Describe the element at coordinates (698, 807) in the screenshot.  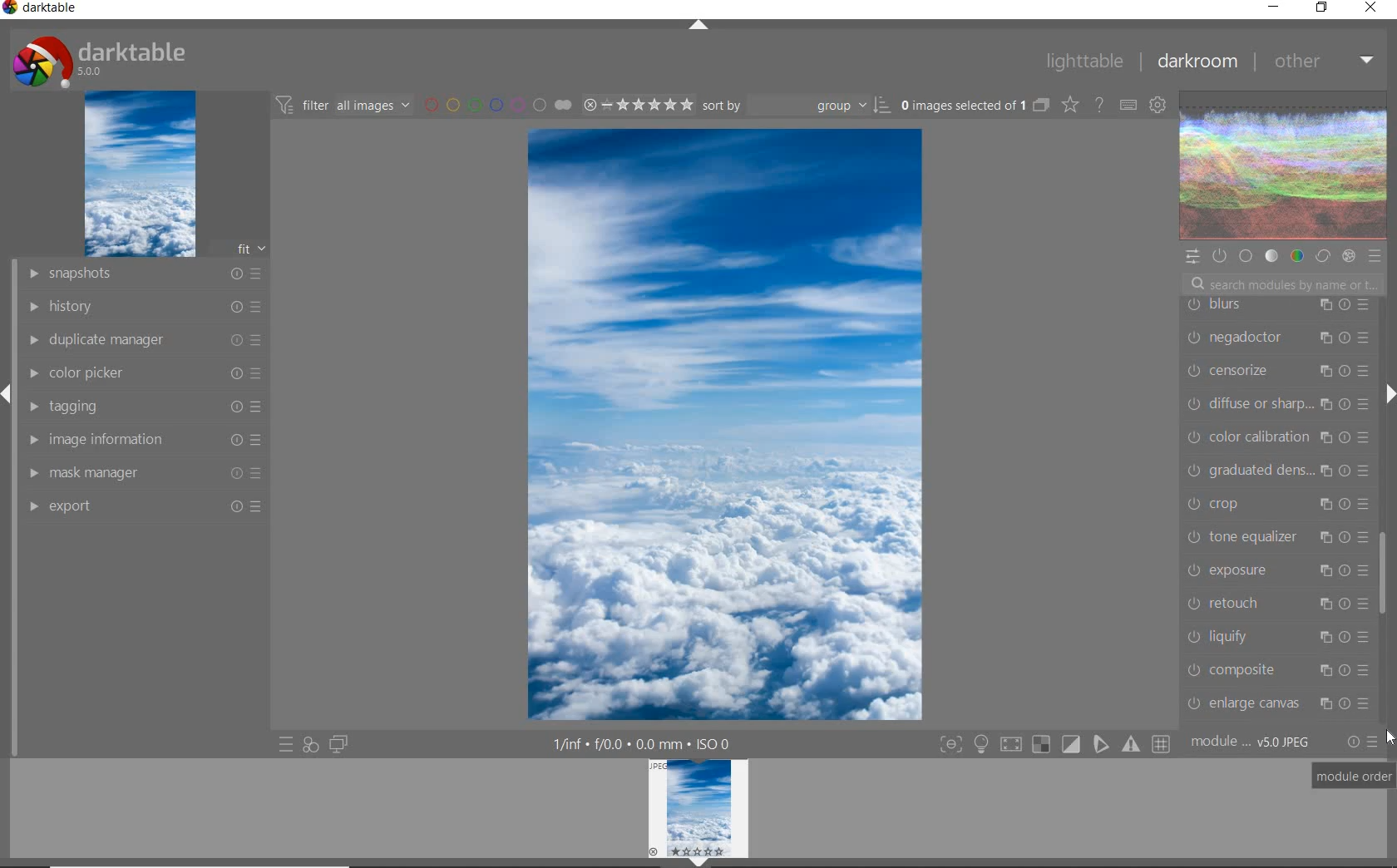
I see `IMAGE PREVIEW` at that location.